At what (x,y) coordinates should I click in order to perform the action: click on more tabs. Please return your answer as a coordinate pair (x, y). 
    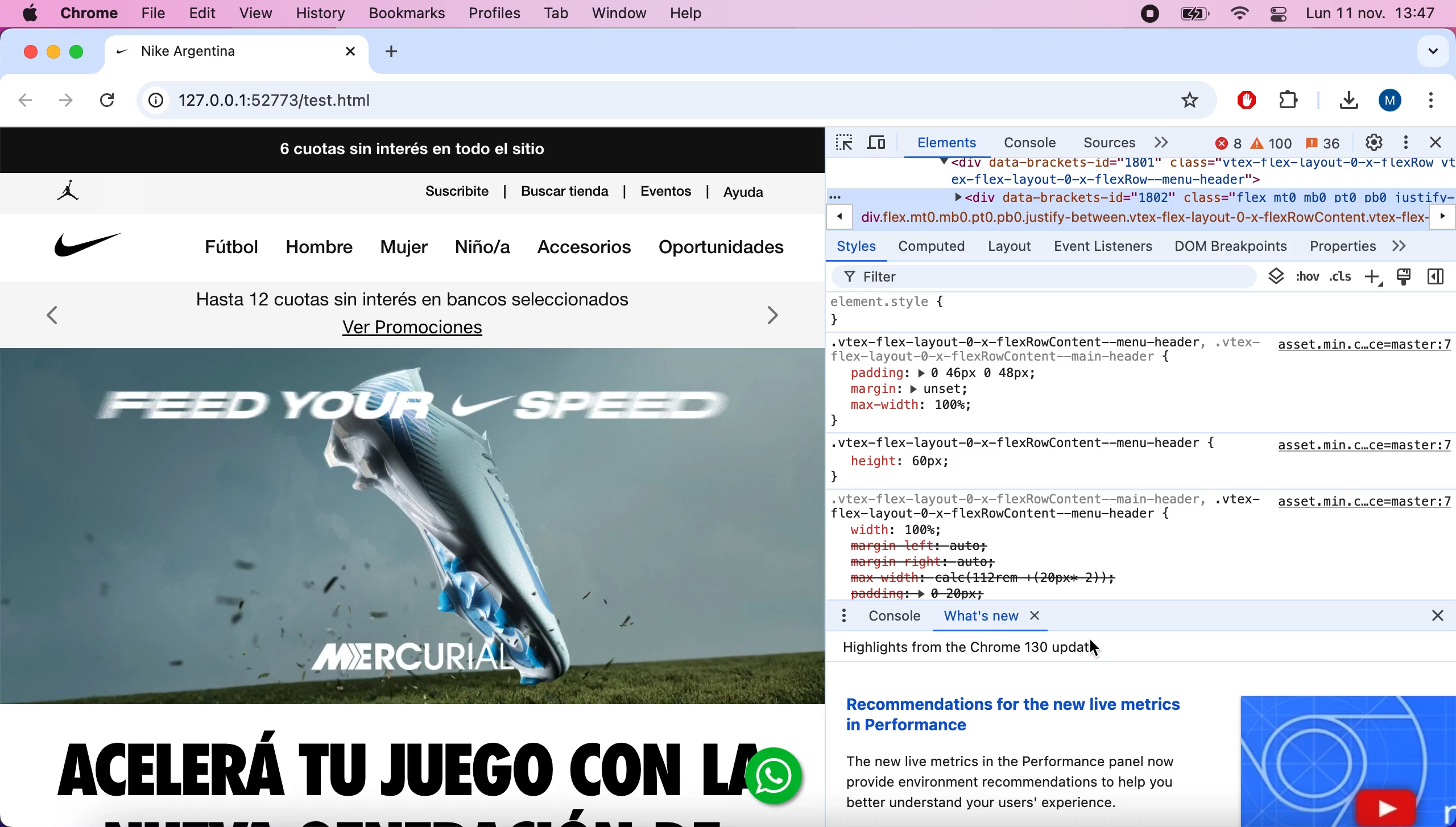
    Looking at the image, I should click on (1165, 142).